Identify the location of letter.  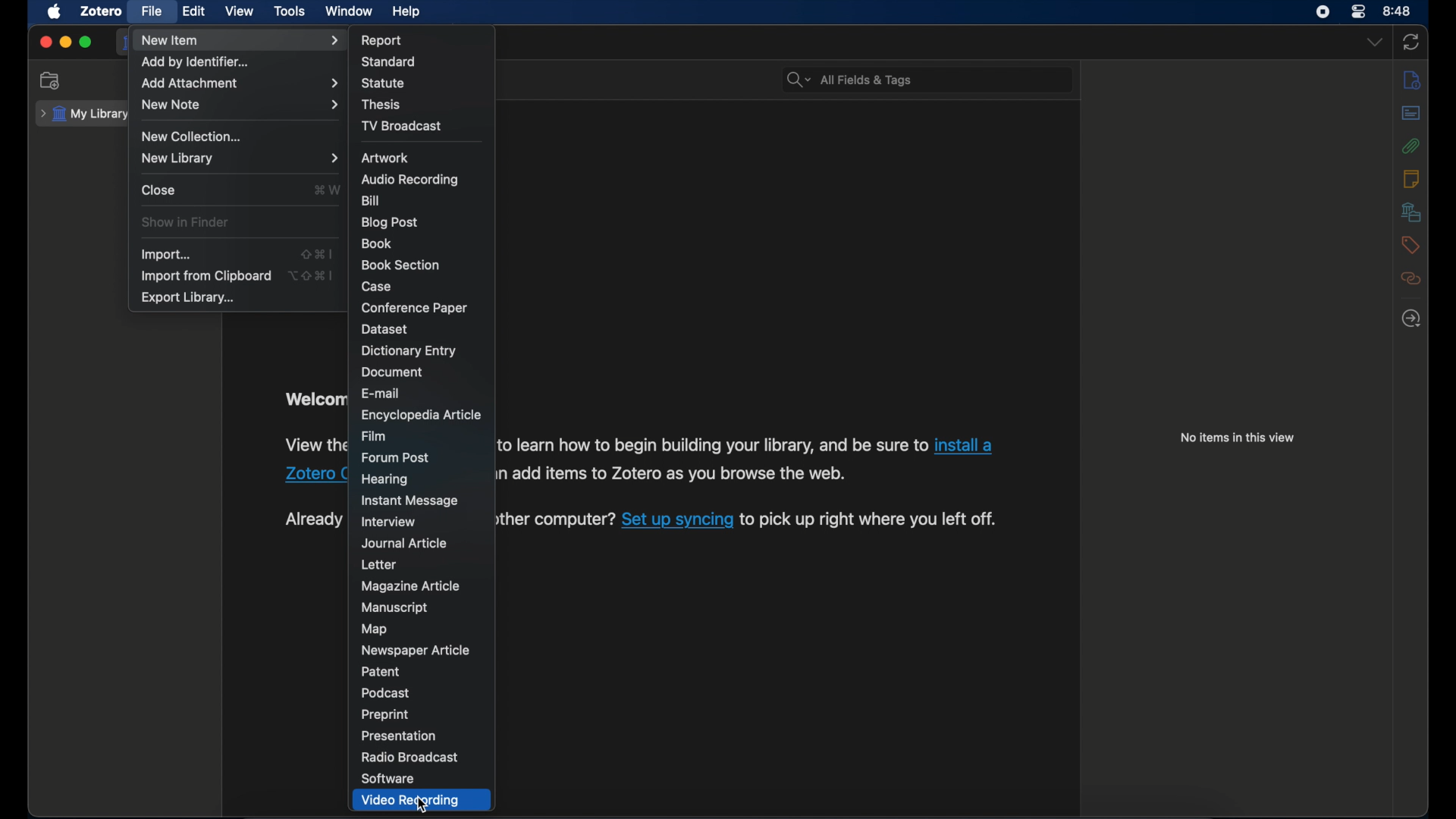
(378, 565).